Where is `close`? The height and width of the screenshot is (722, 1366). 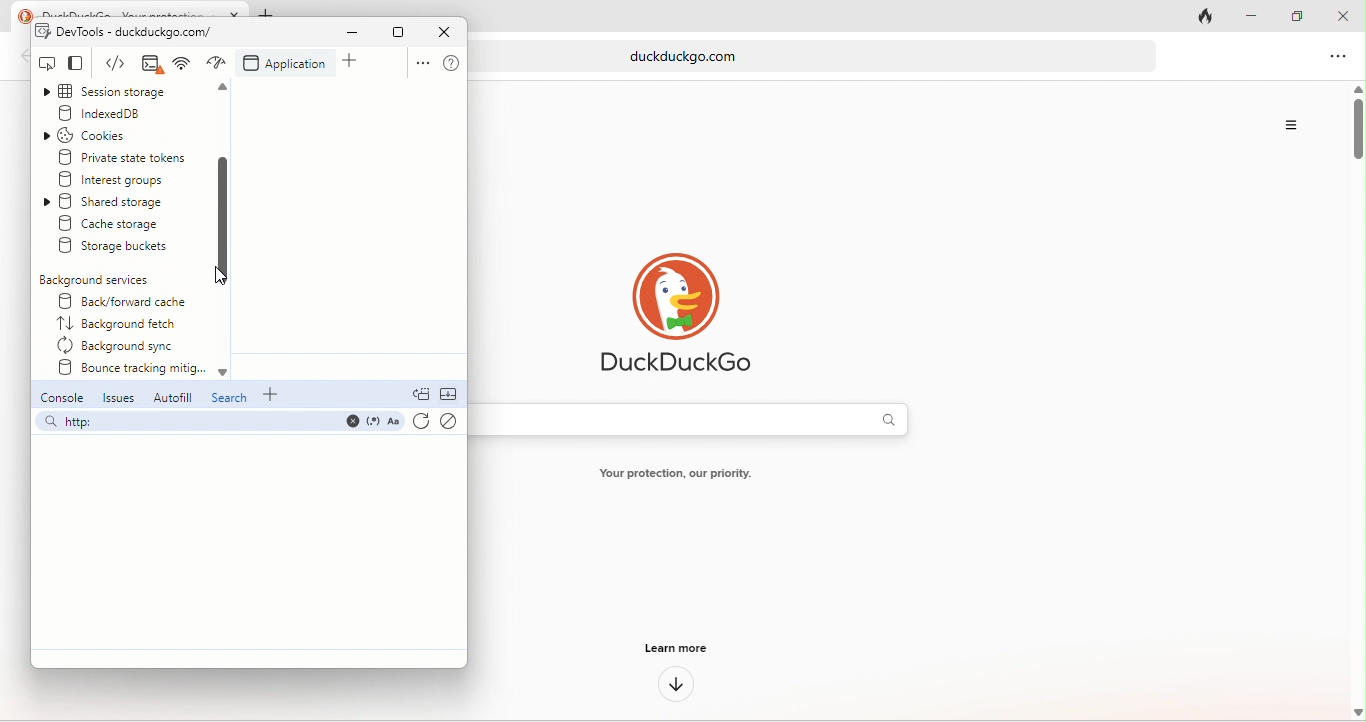
close is located at coordinates (443, 32).